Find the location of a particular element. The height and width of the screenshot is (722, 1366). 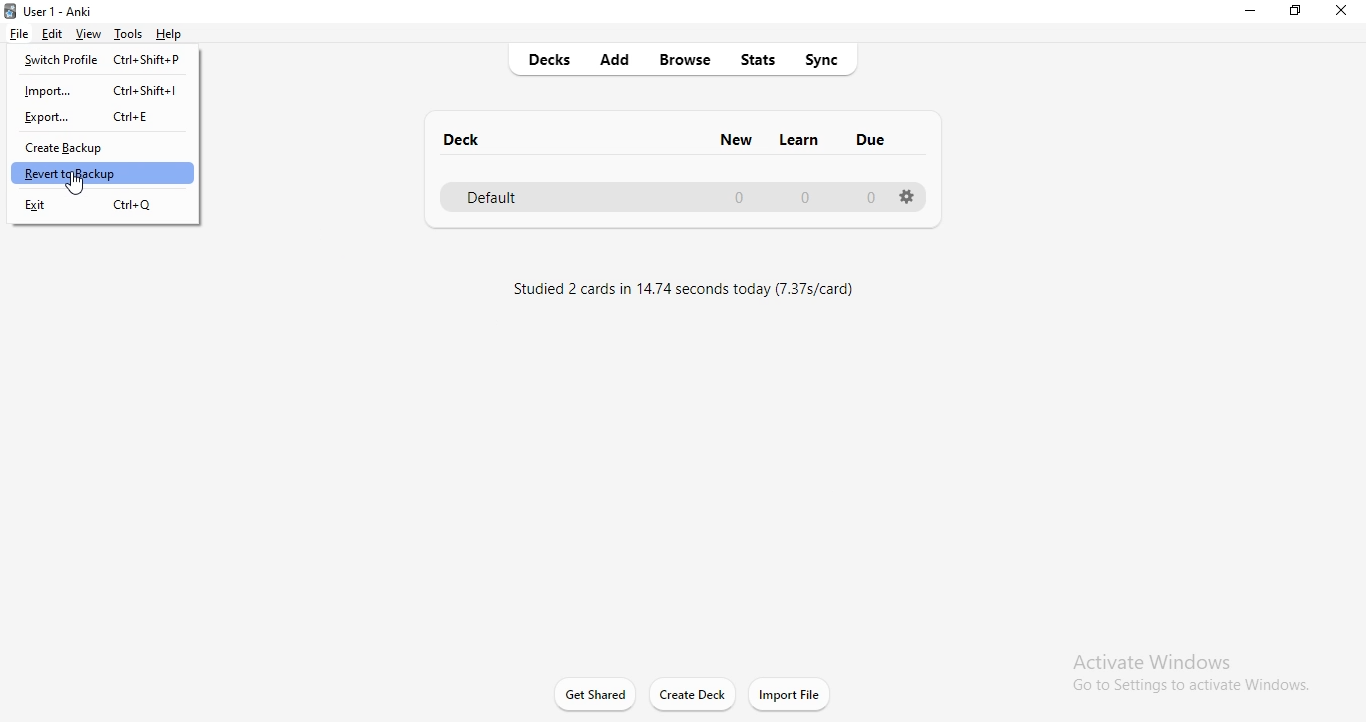

export is located at coordinates (106, 118).